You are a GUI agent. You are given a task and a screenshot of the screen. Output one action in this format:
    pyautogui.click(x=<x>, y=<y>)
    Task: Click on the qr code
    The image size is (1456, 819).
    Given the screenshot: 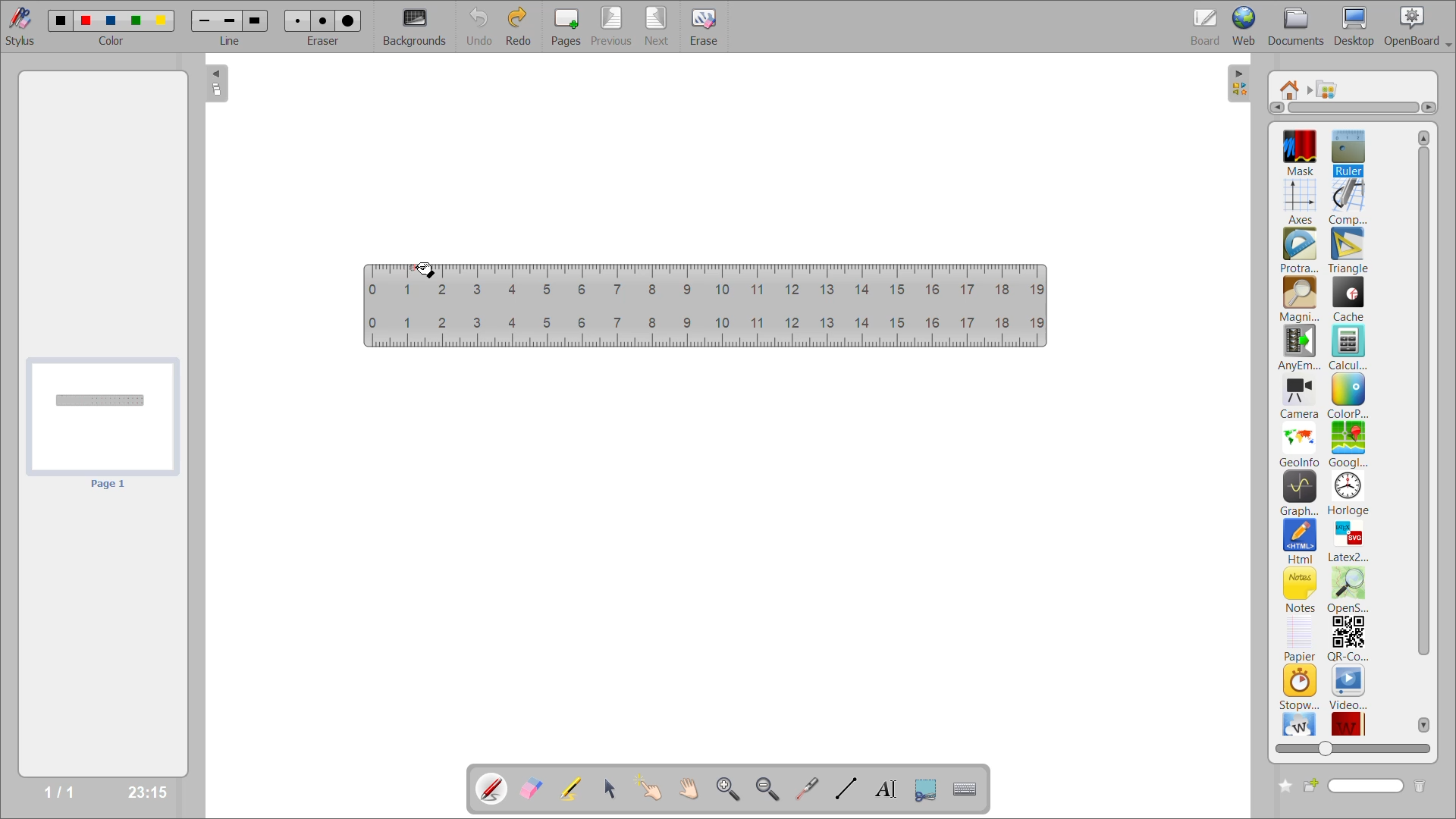 What is the action you would take?
    pyautogui.click(x=1348, y=639)
    